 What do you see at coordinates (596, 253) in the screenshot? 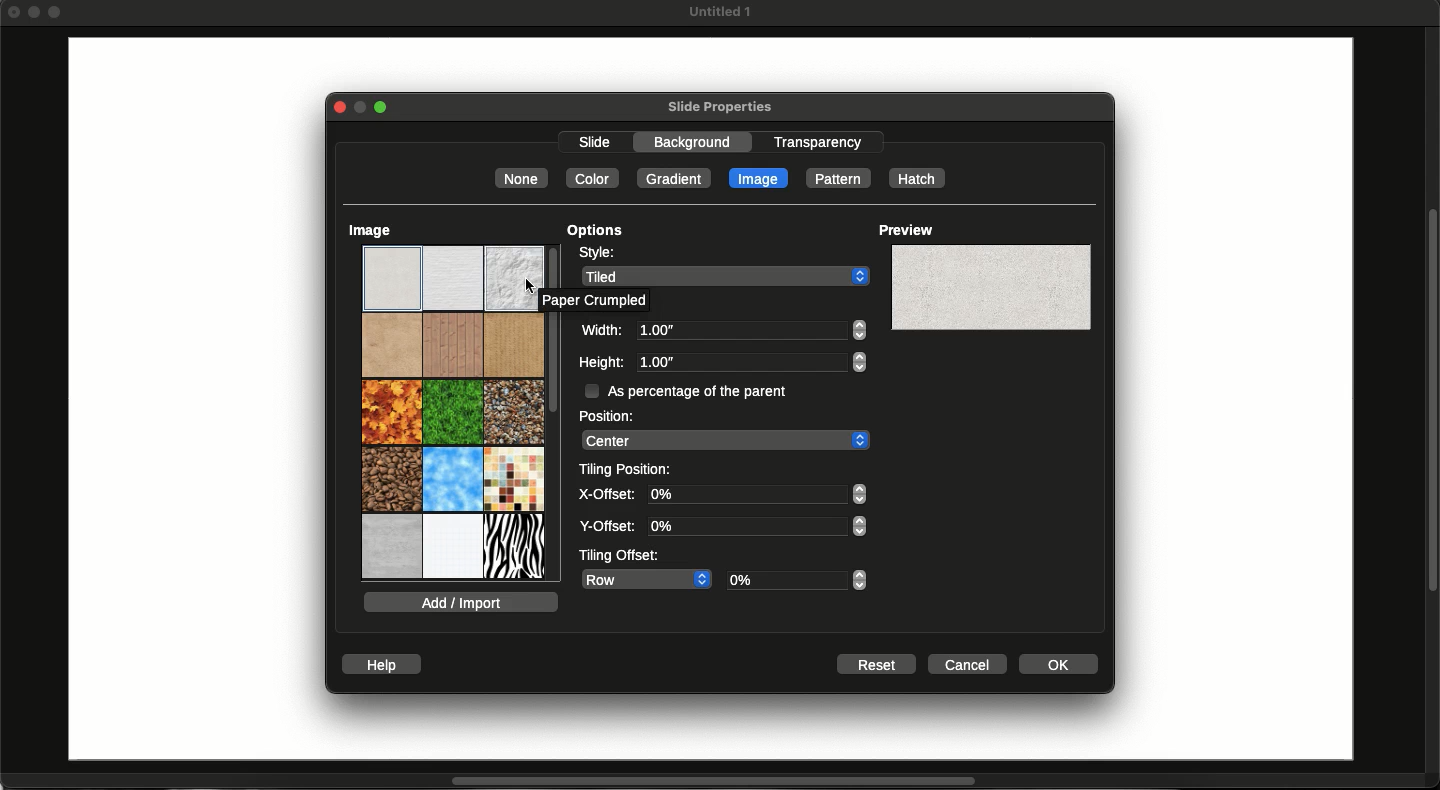
I see `Style:` at bounding box center [596, 253].